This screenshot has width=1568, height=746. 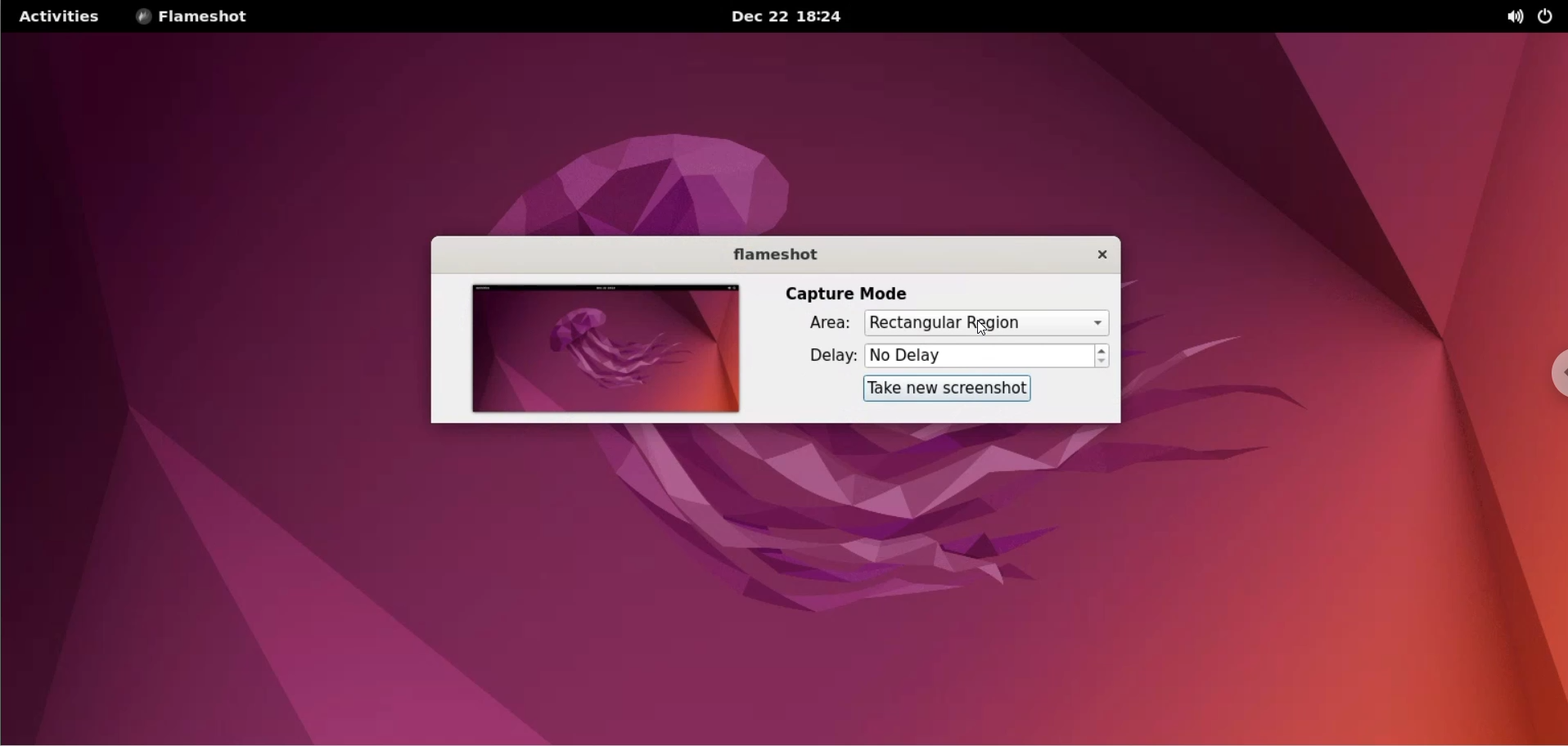 I want to click on screenshot preview, so click(x=606, y=347).